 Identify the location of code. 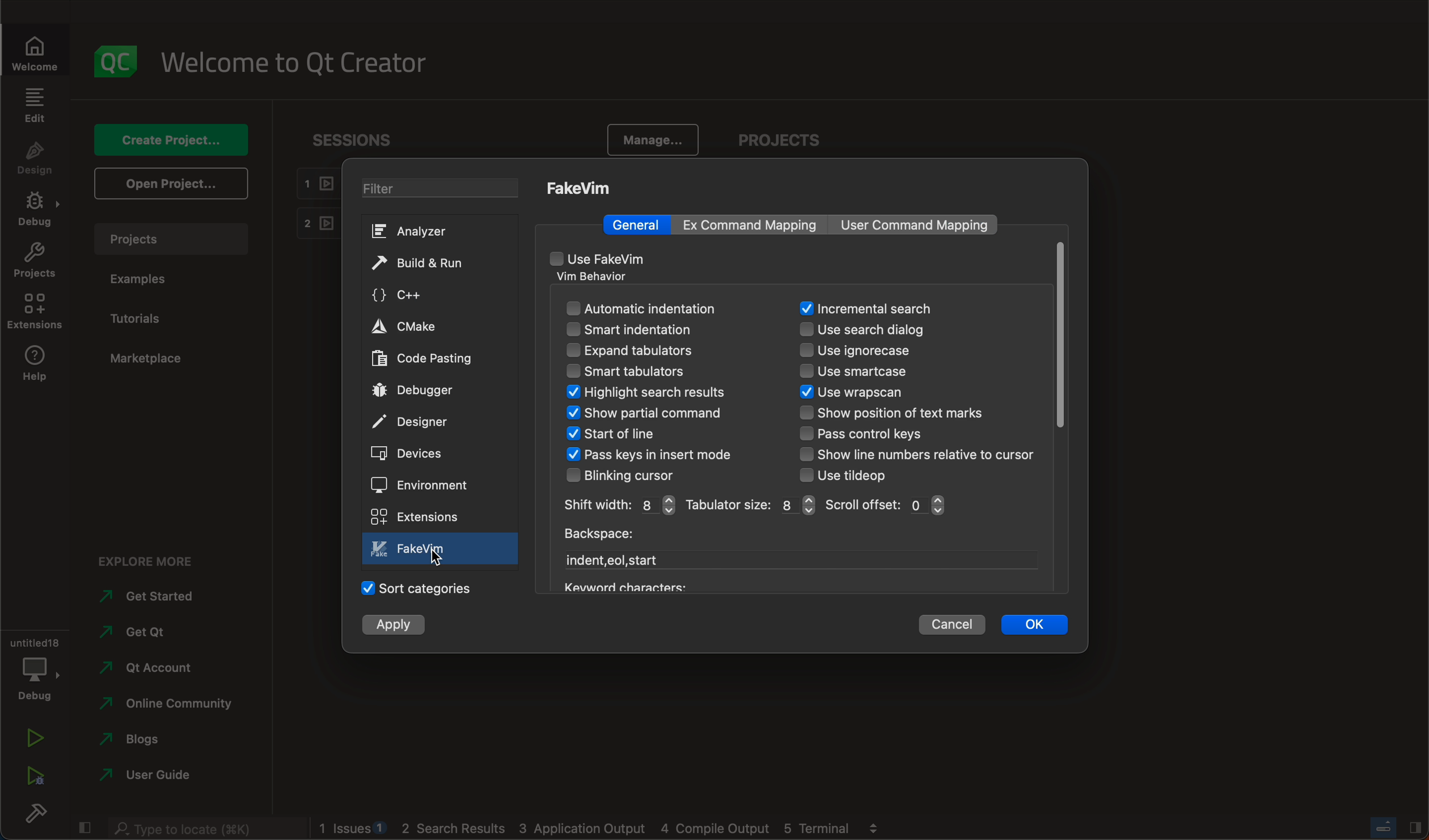
(425, 359).